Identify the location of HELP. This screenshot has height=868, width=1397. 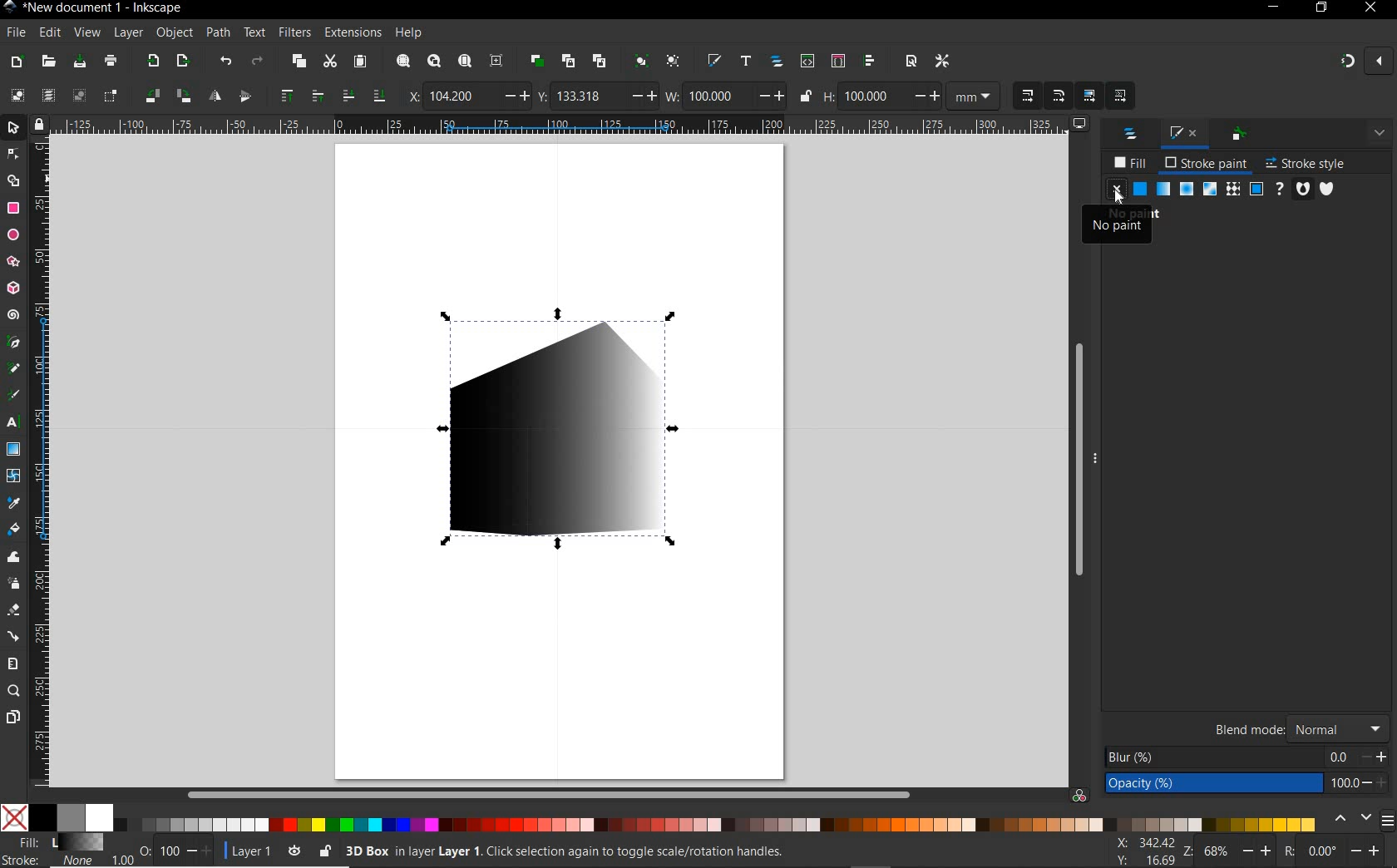
(411, 32).